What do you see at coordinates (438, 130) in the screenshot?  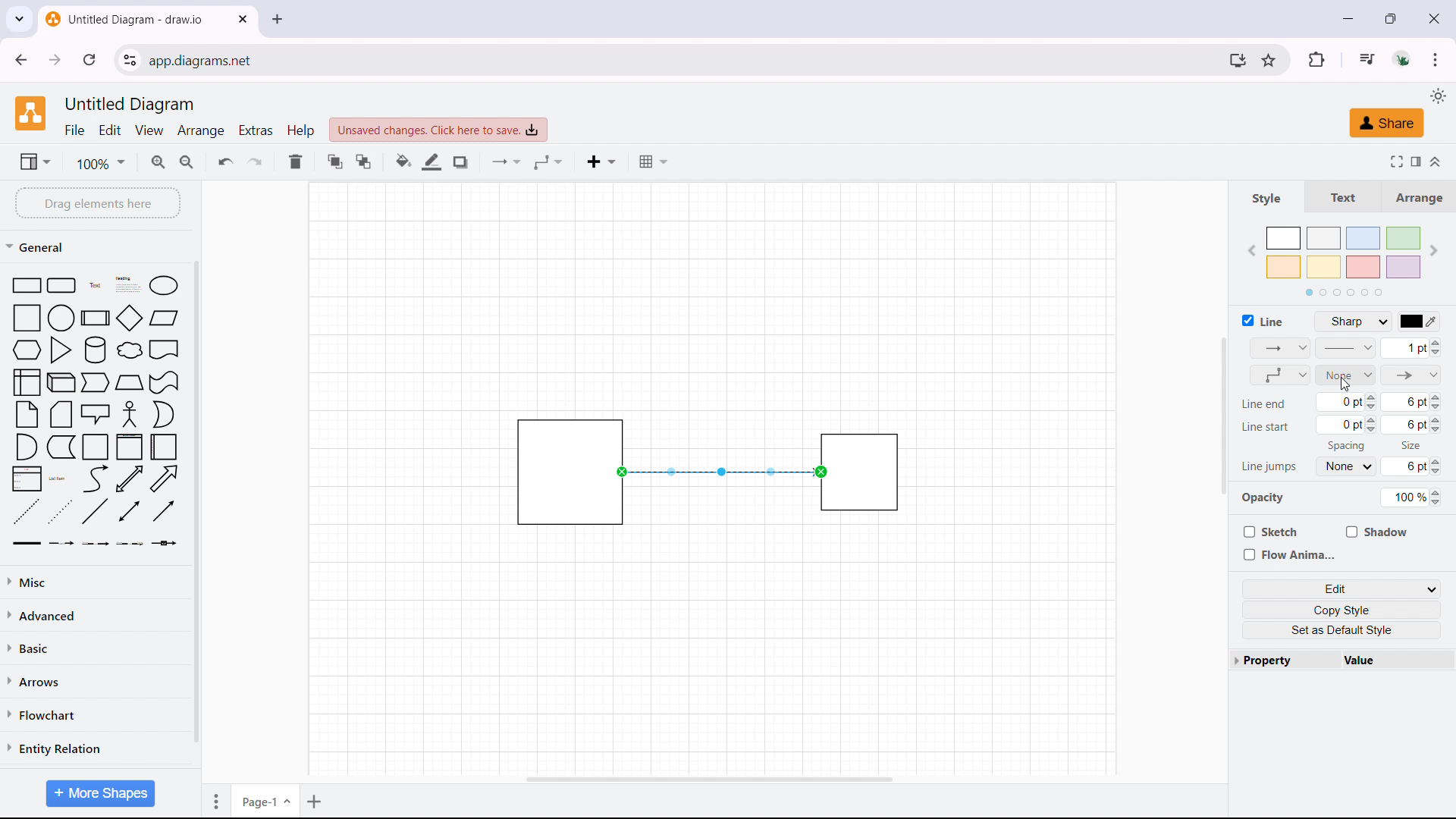 I see `click to save` at bounding box center [438, 130].